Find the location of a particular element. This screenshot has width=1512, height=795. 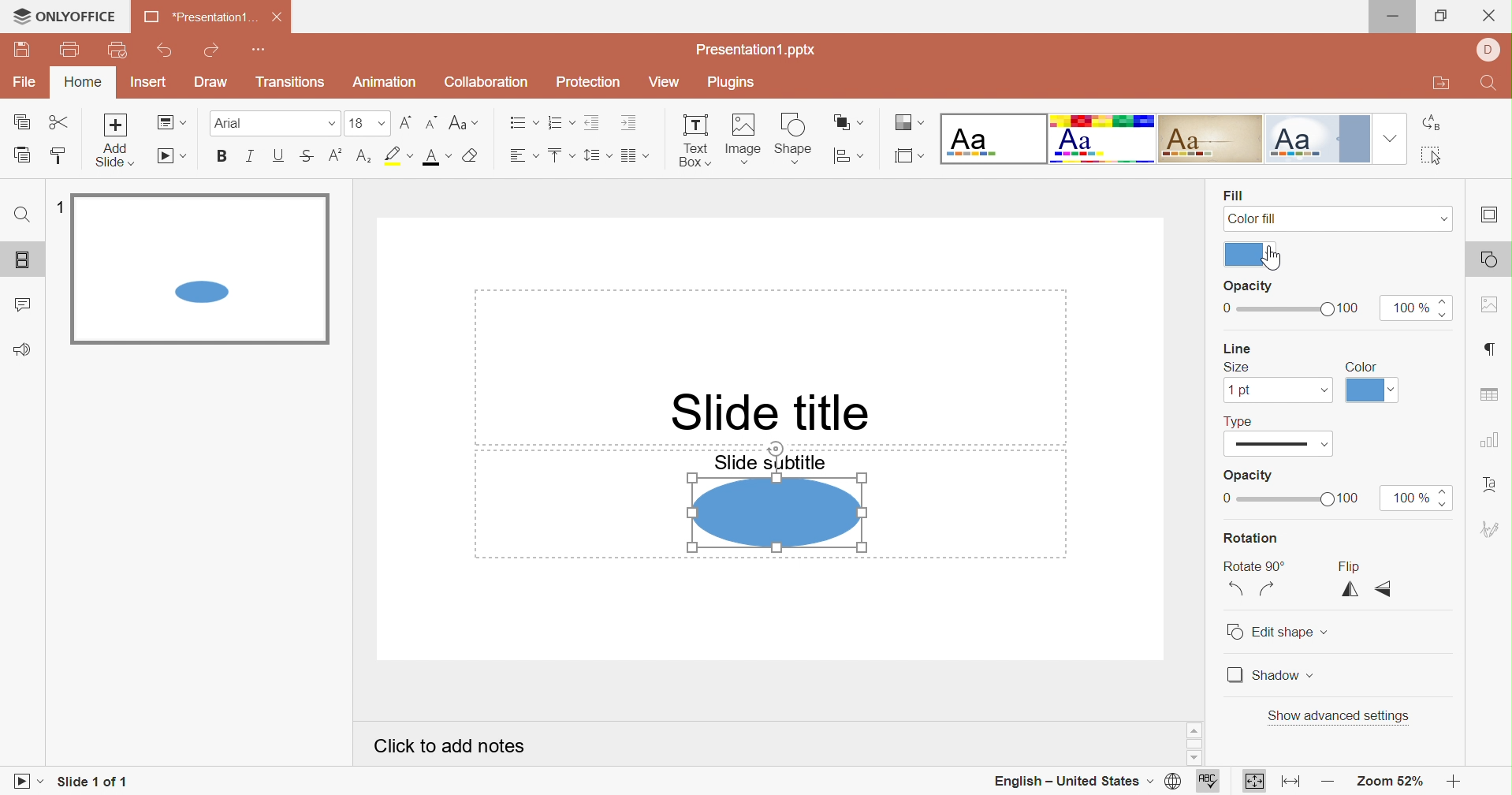

Add Slide is located at coordinates (118, 139).